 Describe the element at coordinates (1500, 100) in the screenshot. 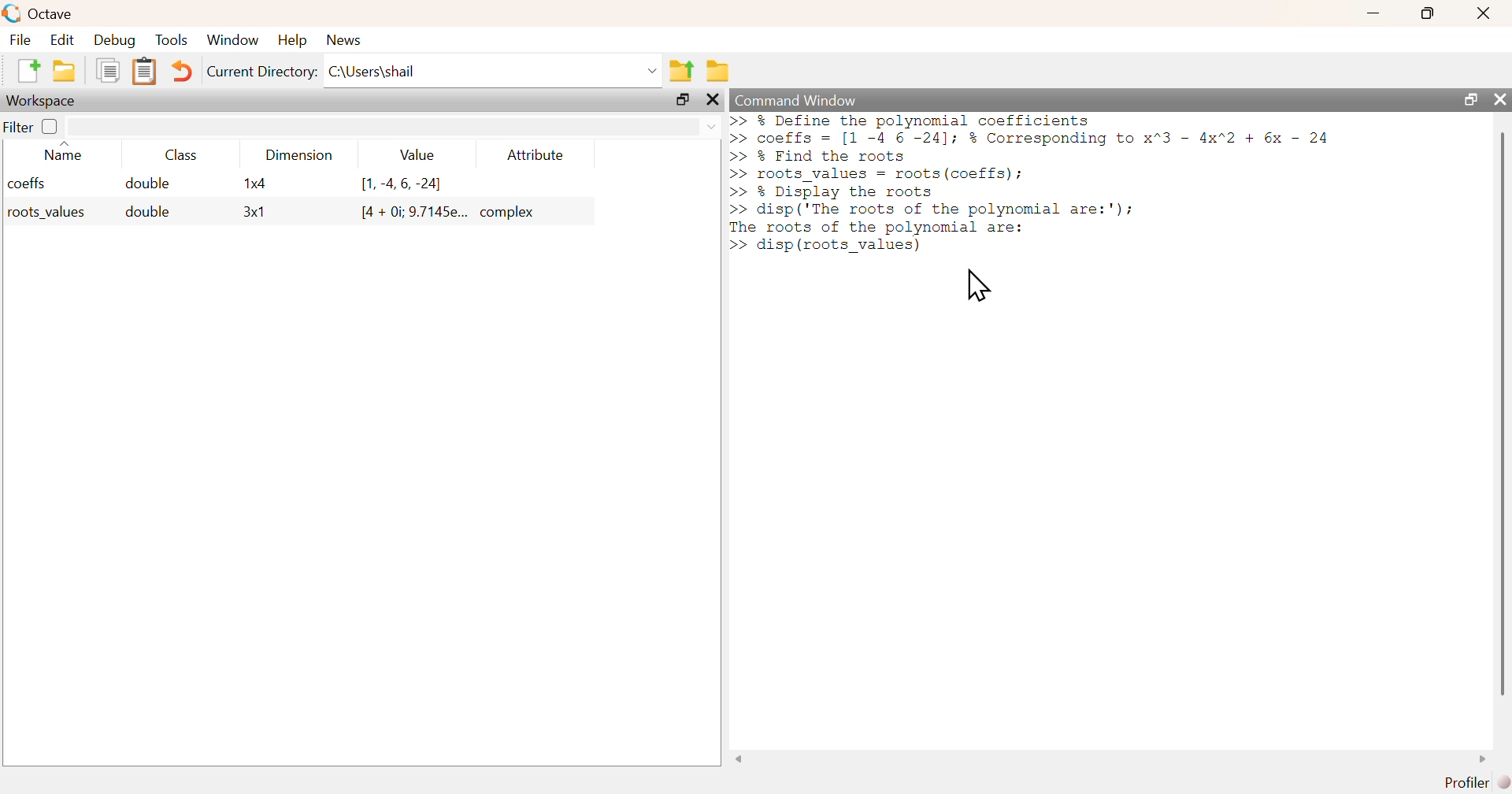

I see `close` at that location.